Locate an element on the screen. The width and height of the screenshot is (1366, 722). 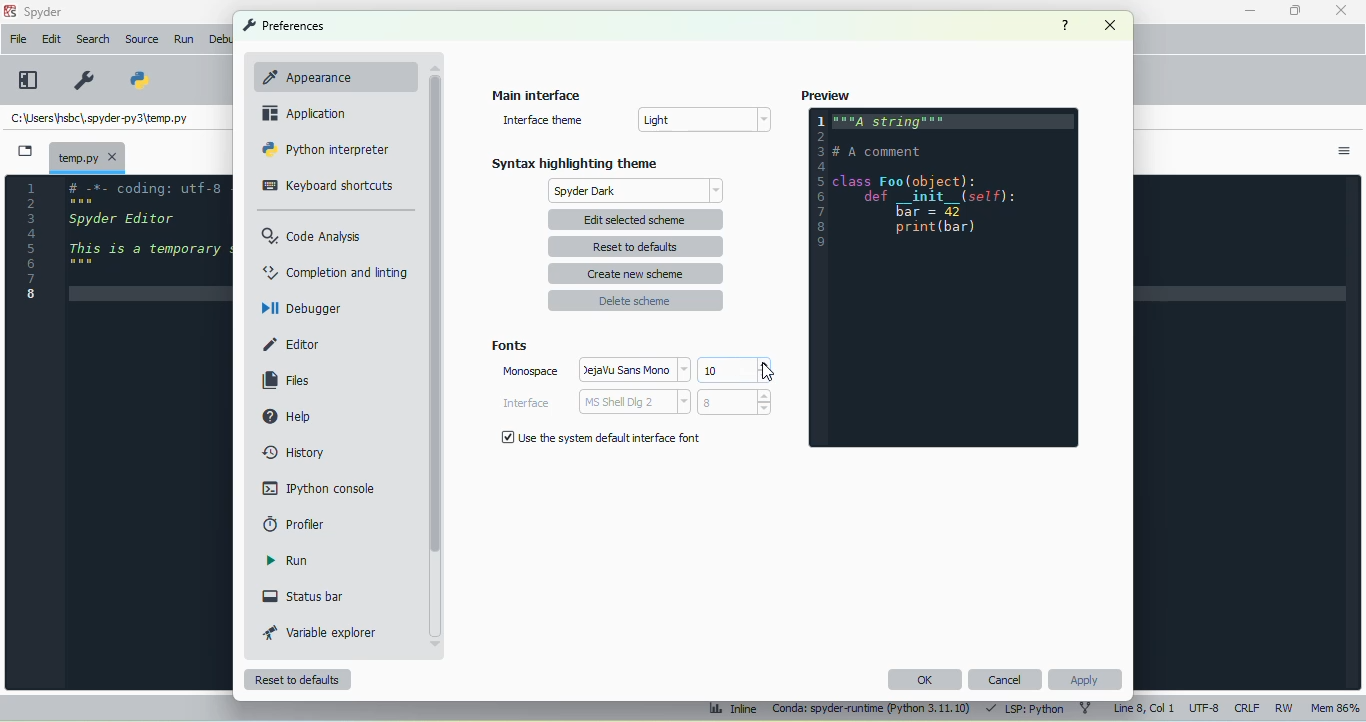
editor is located at coordinates (292, 345).